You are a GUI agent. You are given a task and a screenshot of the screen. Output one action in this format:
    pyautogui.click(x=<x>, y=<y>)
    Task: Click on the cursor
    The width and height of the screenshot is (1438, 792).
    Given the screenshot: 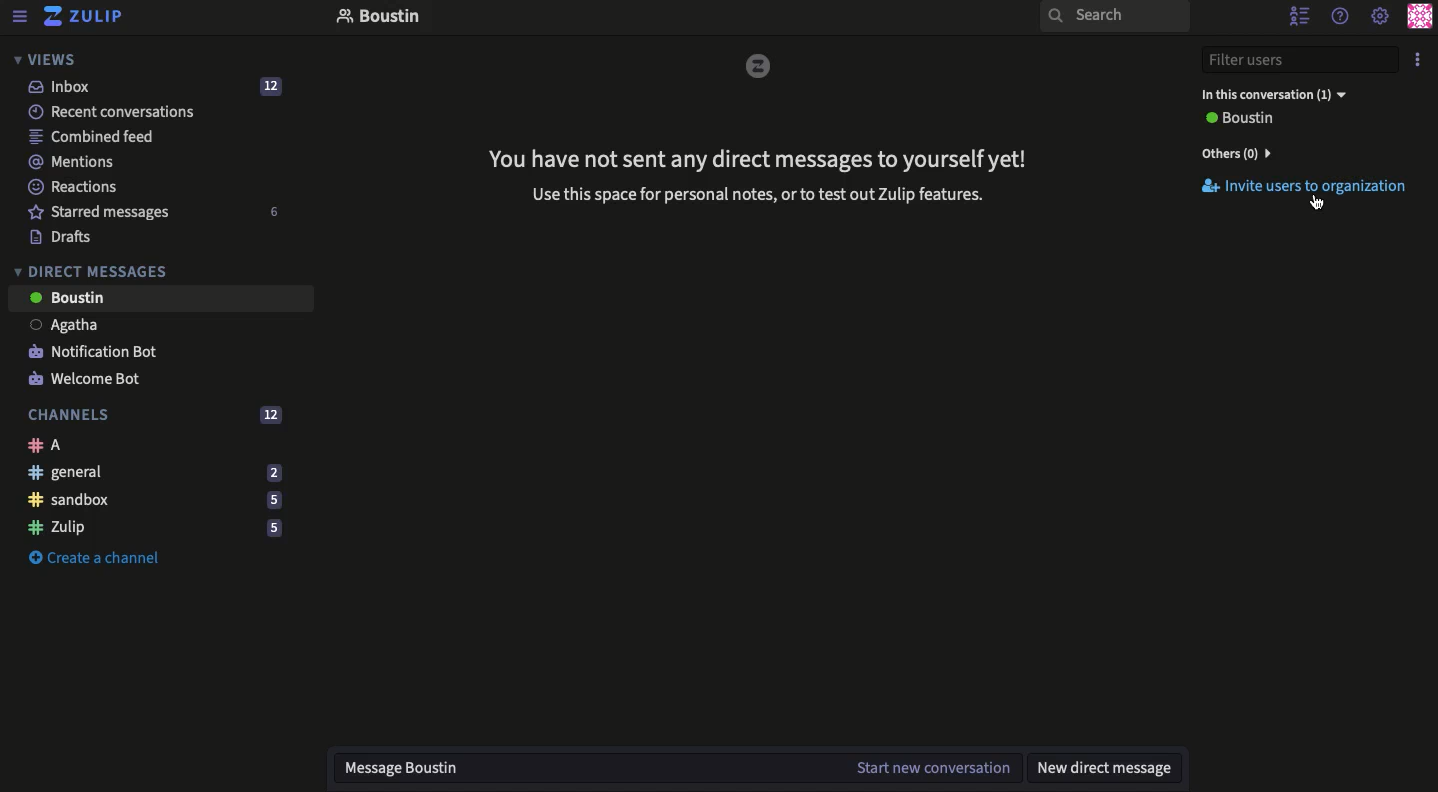 What is the action you would take?
    pyautogui.click(x=1320, y=204)
    